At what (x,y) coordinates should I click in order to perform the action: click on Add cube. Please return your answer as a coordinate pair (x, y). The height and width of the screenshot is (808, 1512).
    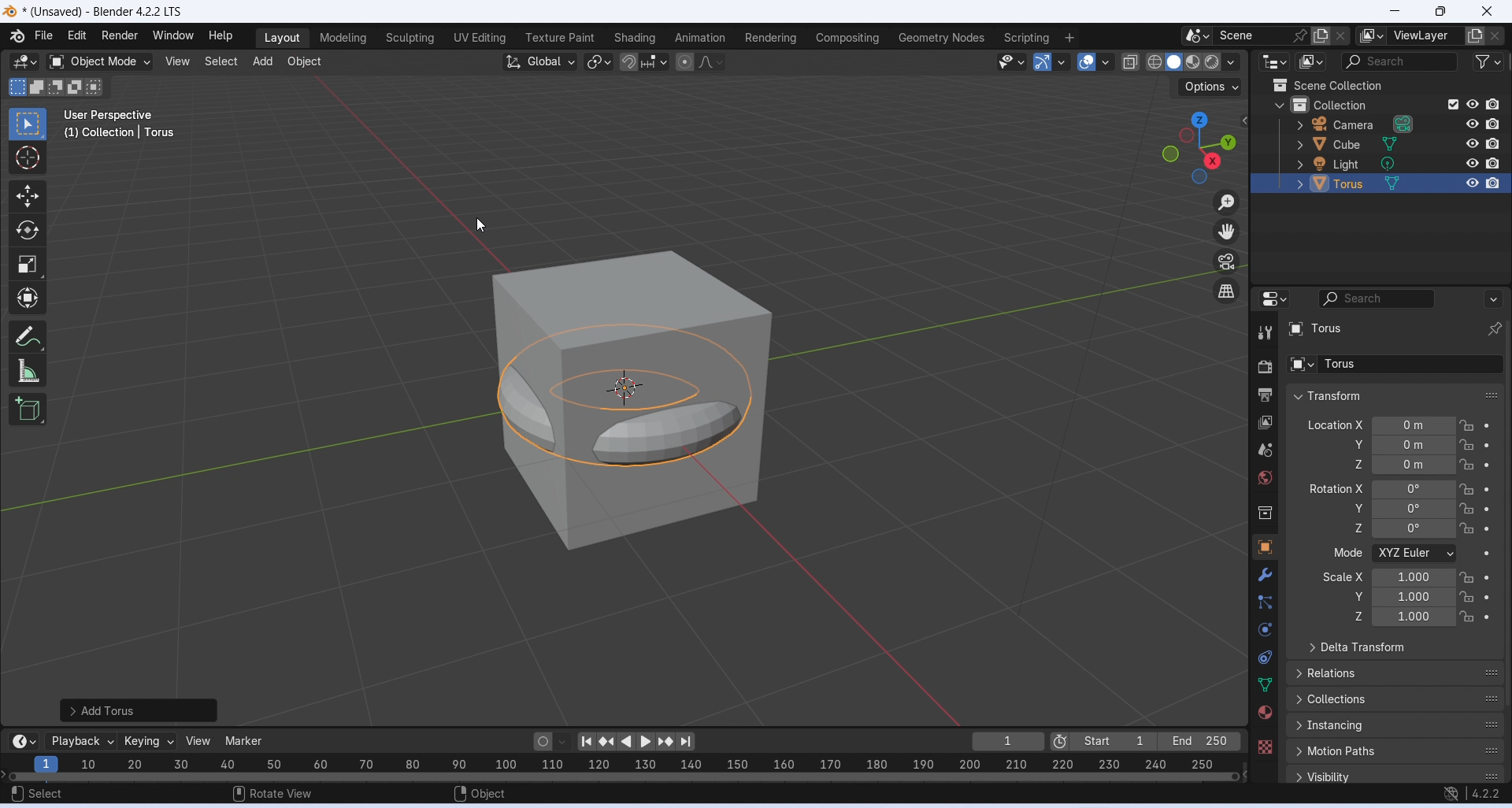
    Looking at the image, I should click on (29, 408).